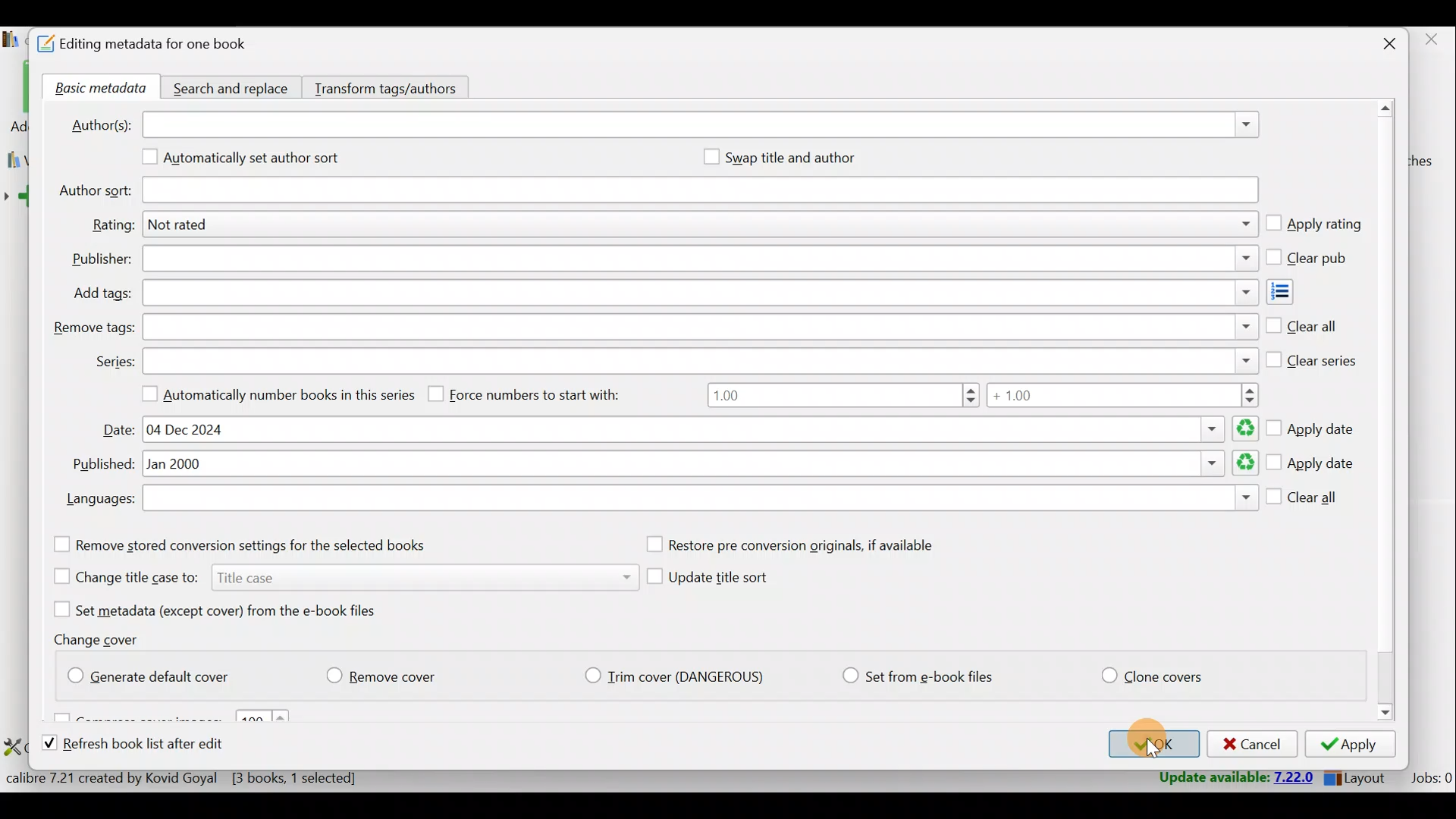 Image resolution: width=1456 pixels, height=819 pixels. Describe the element at coordinates (917, 676) in the screenshot. I see `Set from e-book files` at that location.